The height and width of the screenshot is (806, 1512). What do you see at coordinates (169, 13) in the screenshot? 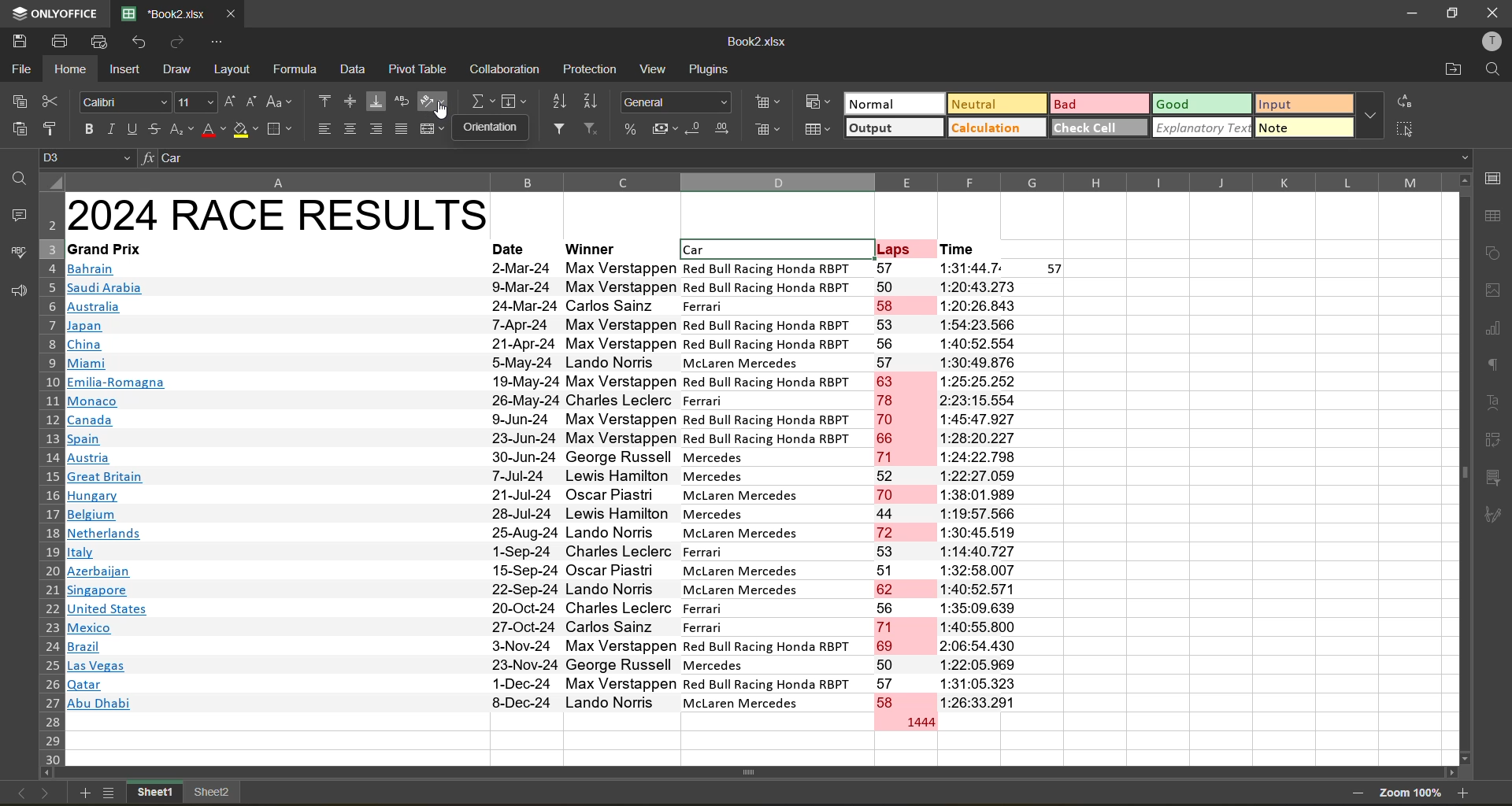
I see `filename` at bounding box center [169, 13].